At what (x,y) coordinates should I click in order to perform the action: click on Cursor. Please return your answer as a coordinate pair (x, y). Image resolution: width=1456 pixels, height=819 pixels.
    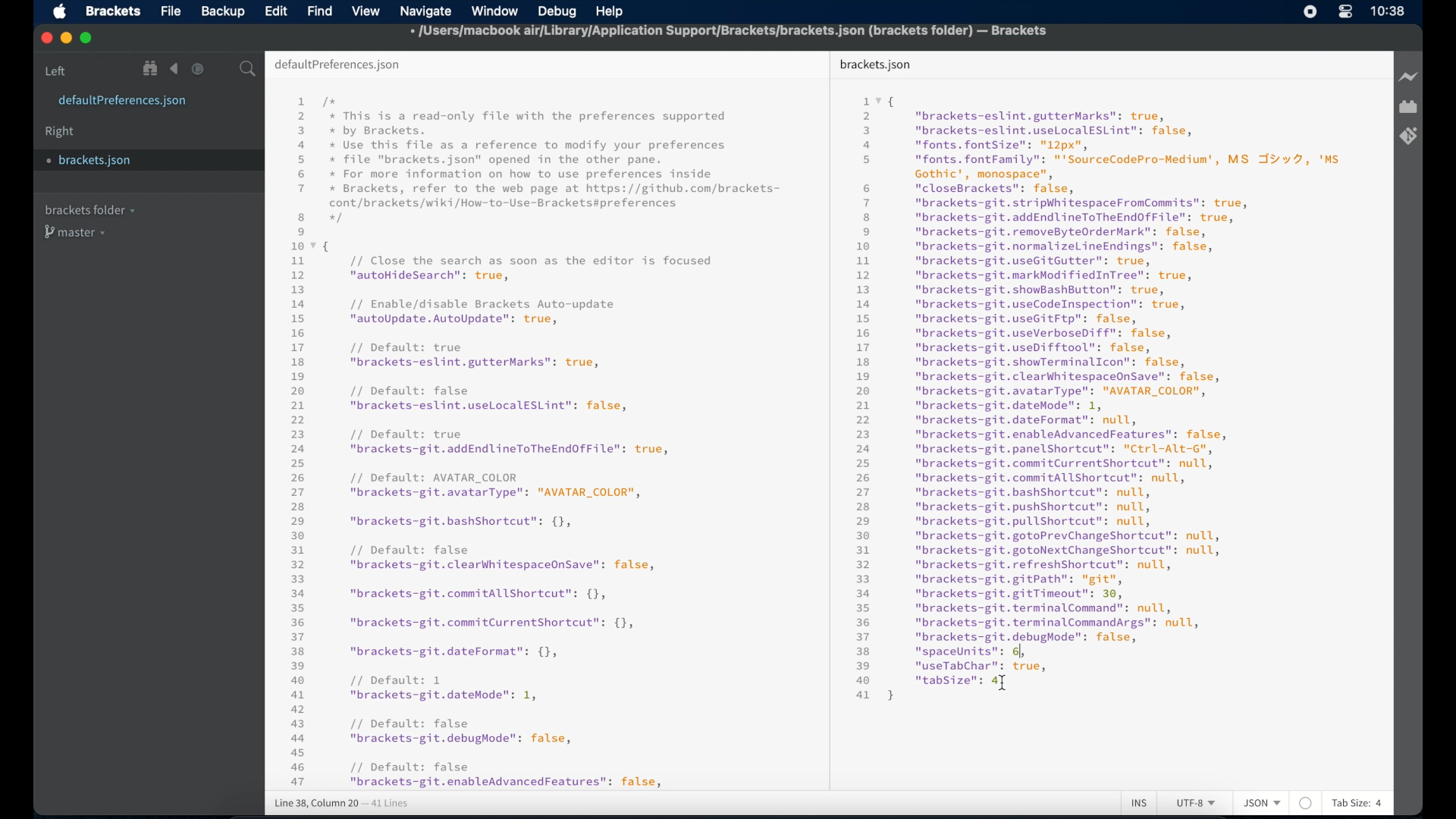
    Looking at the image, I should click on (1006, 684).